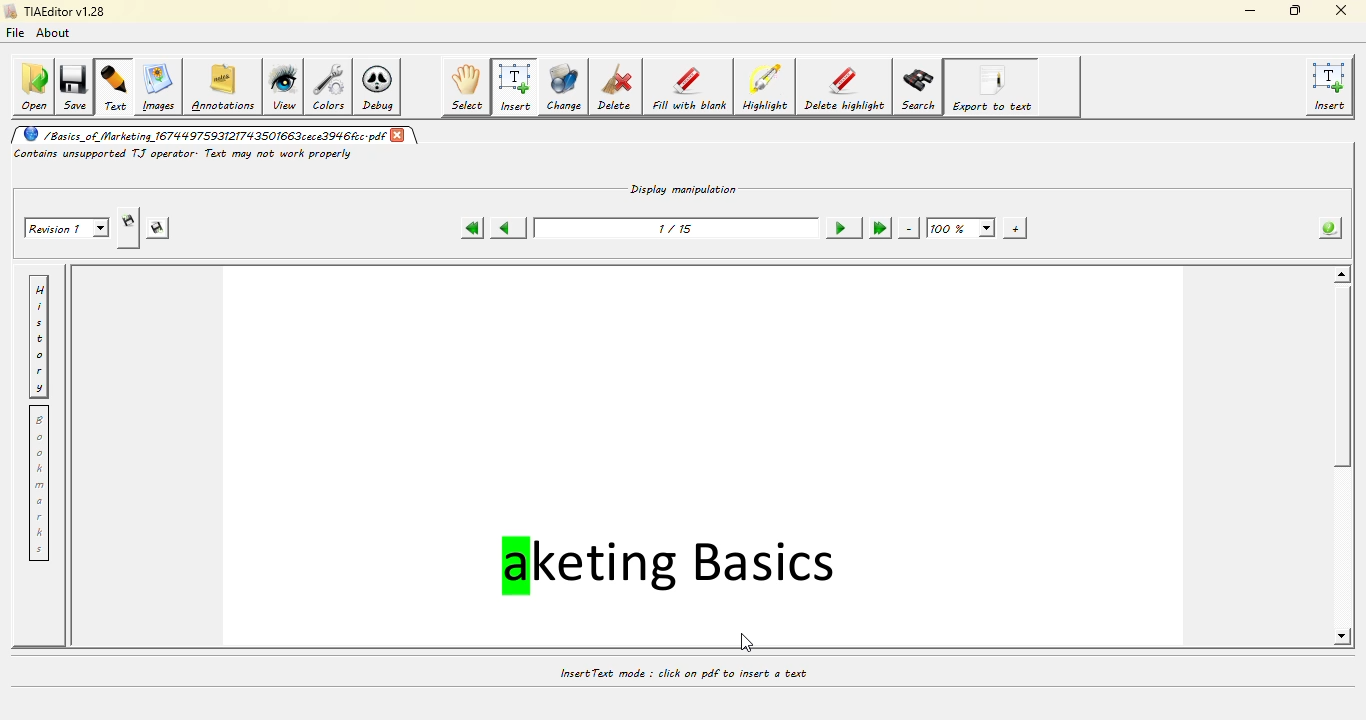 This screenshot has width=1366, height=720. I want to click on first page, so click(470, 228).